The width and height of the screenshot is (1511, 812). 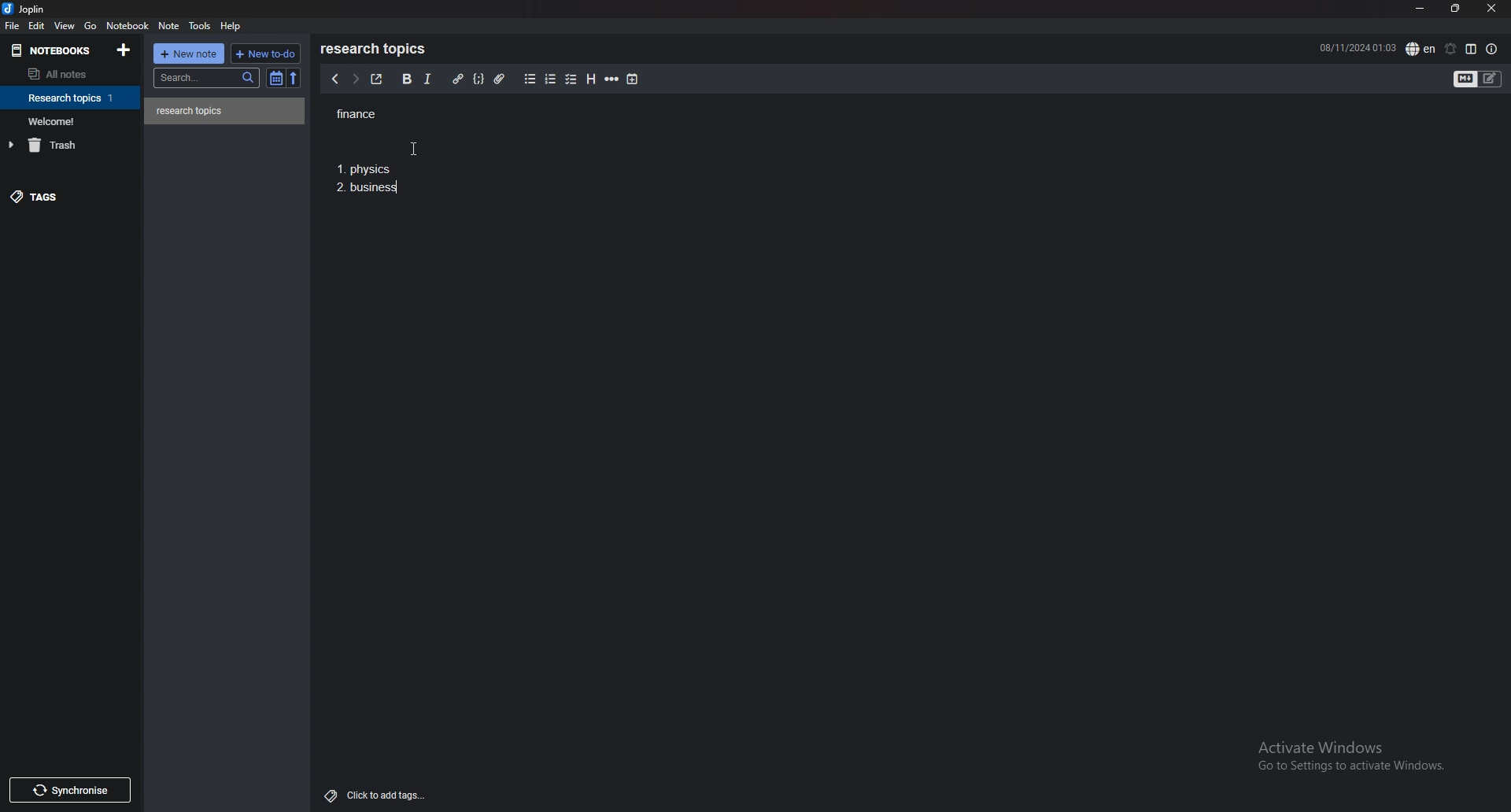 What do you see at coordinates (371, 795) in the screenshot?
I see `Click to add tags` at bounding box center [371, 795].